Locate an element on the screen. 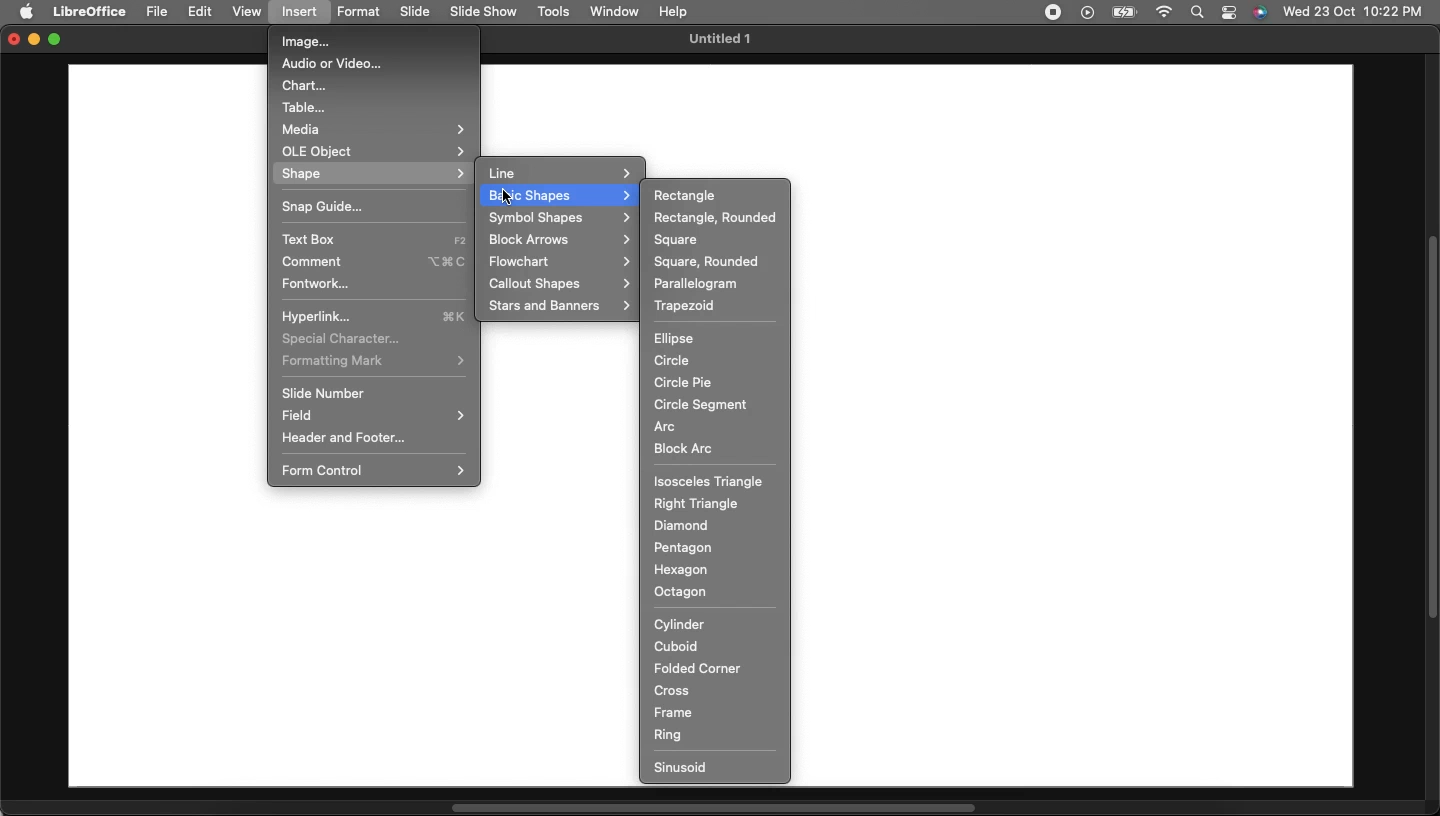 The width and height of the screenshot is (1440, 816). Square is located at coordinates (678, 241).